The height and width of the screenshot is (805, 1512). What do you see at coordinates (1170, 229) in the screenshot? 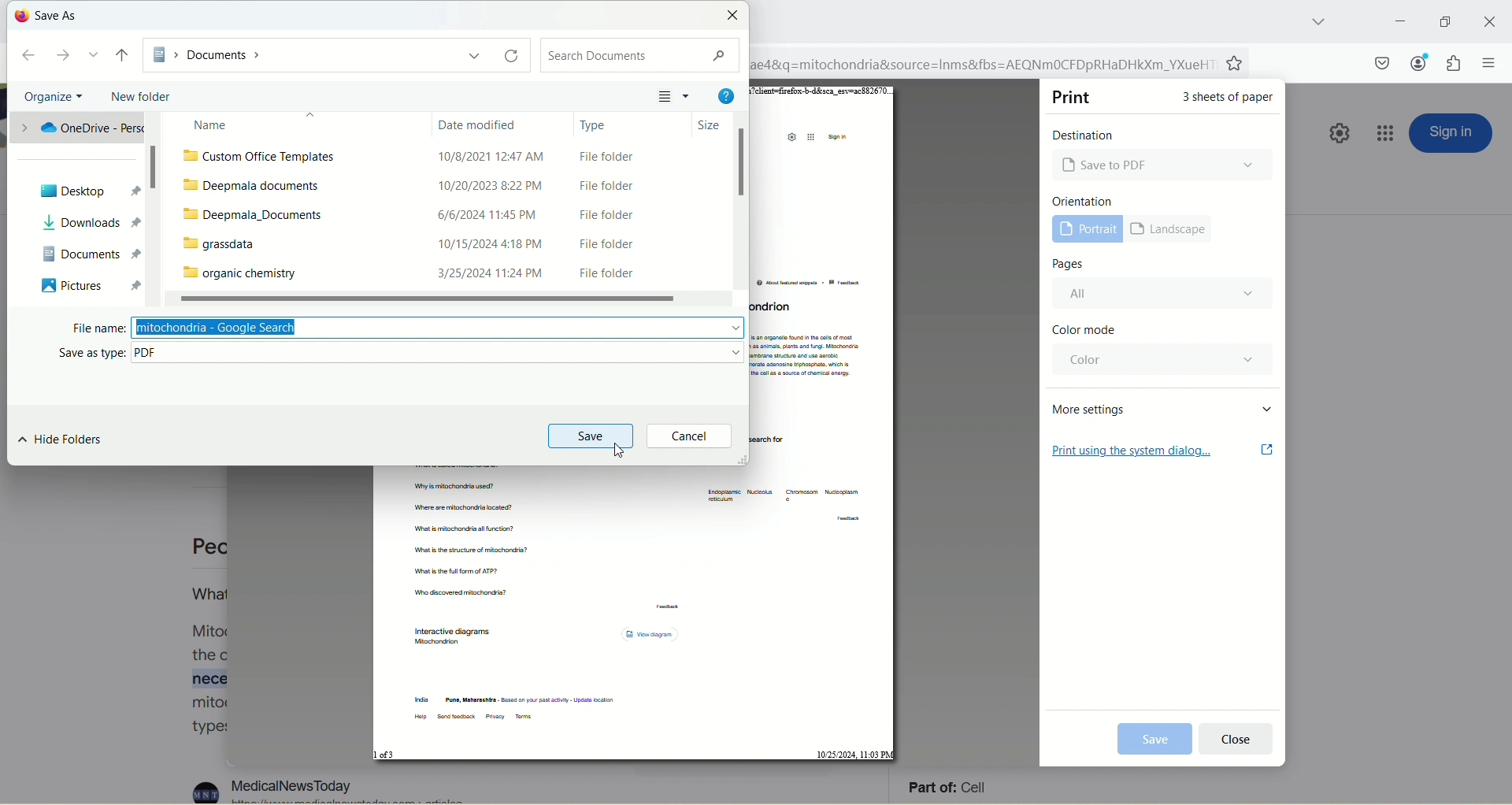
I see `landscape` at bounding box center [1170, 229].